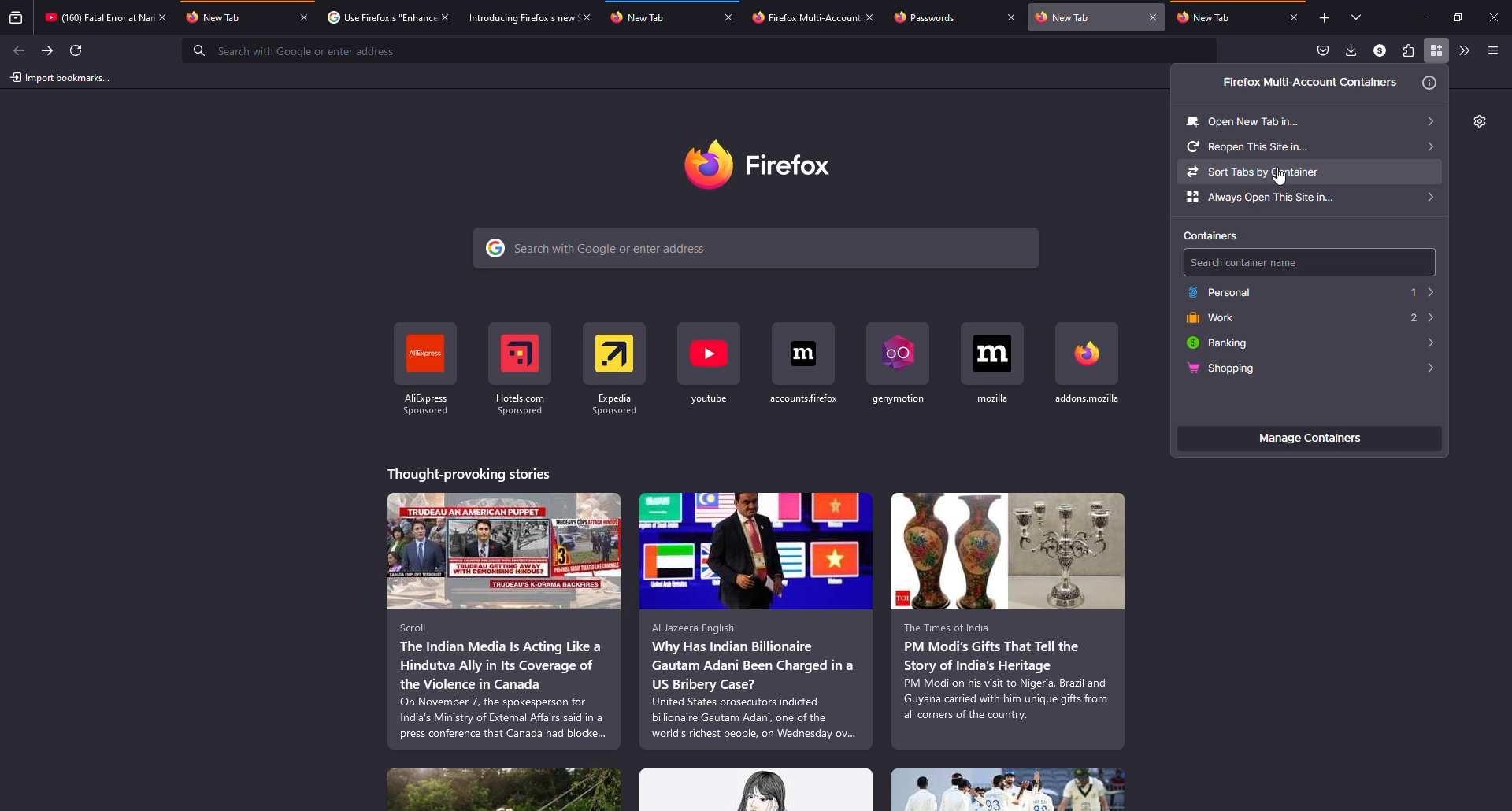 Image resolution: width=1512 pixels, height=811 pixels. I want to click on scroll bar, so click(1506, 203).